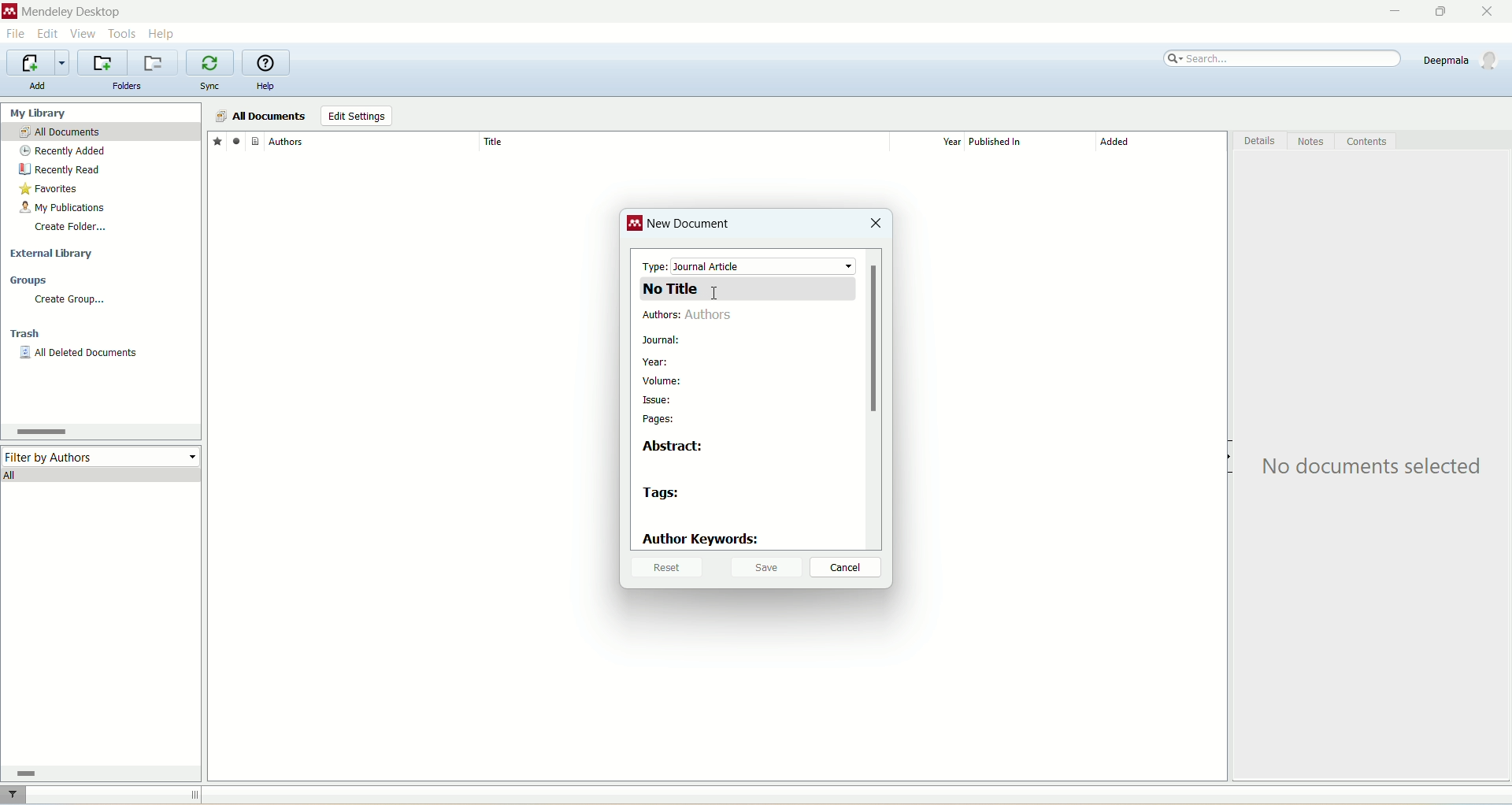 Image resolution: width=1512 pixels, height=805 pixels. I want to click on cancel, so click(847, 568).